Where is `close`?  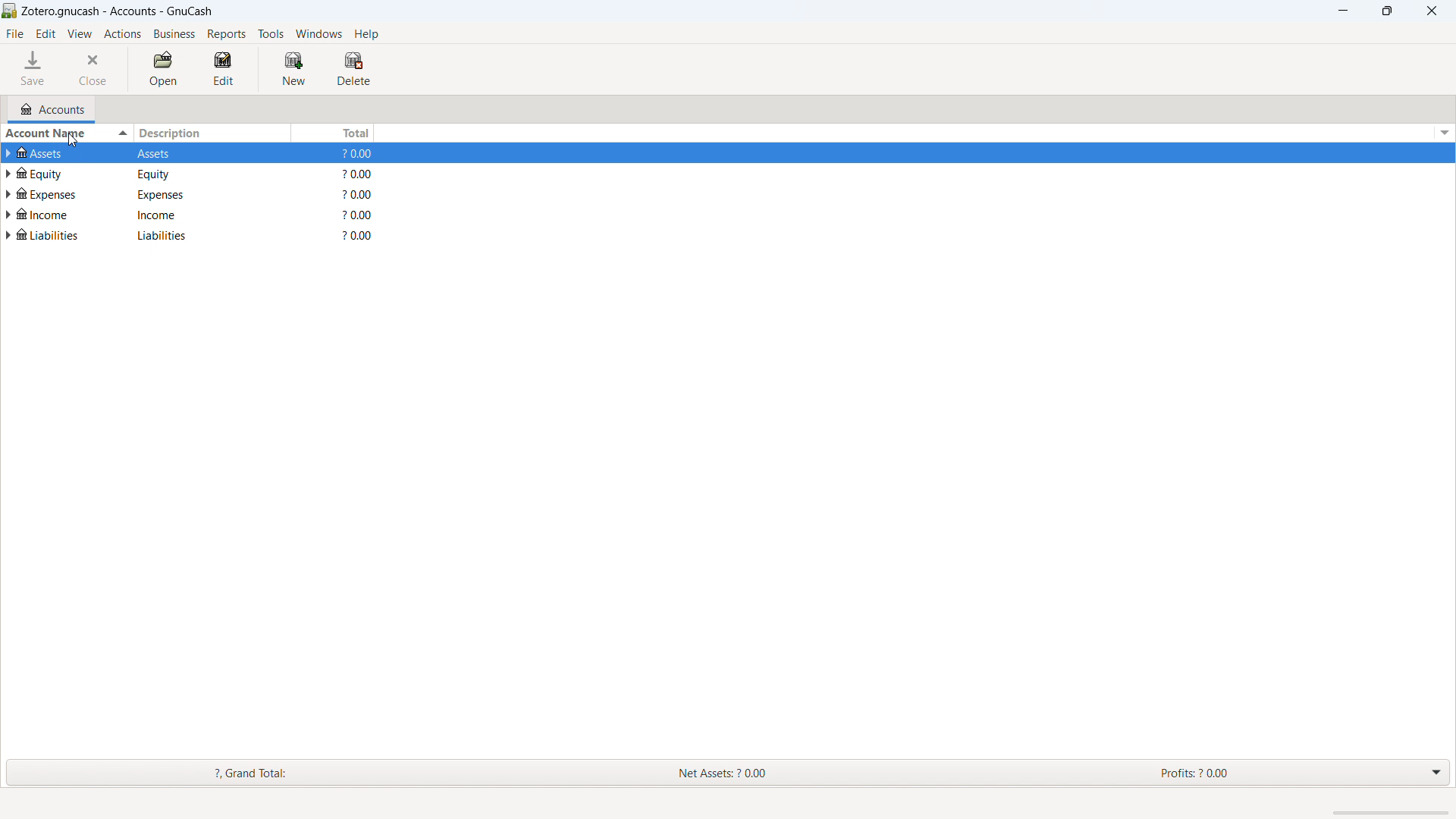
close is located at coordinates (96, 67).